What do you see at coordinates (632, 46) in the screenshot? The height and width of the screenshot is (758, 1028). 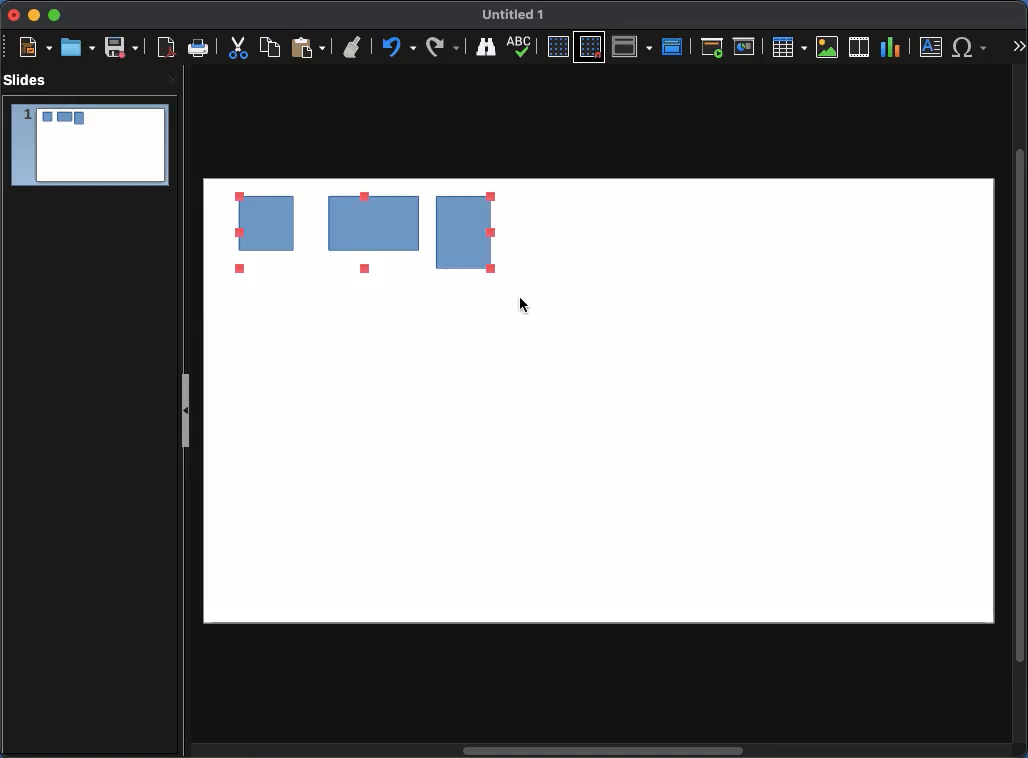 I see `Display views` at bounding box center [632, 46].